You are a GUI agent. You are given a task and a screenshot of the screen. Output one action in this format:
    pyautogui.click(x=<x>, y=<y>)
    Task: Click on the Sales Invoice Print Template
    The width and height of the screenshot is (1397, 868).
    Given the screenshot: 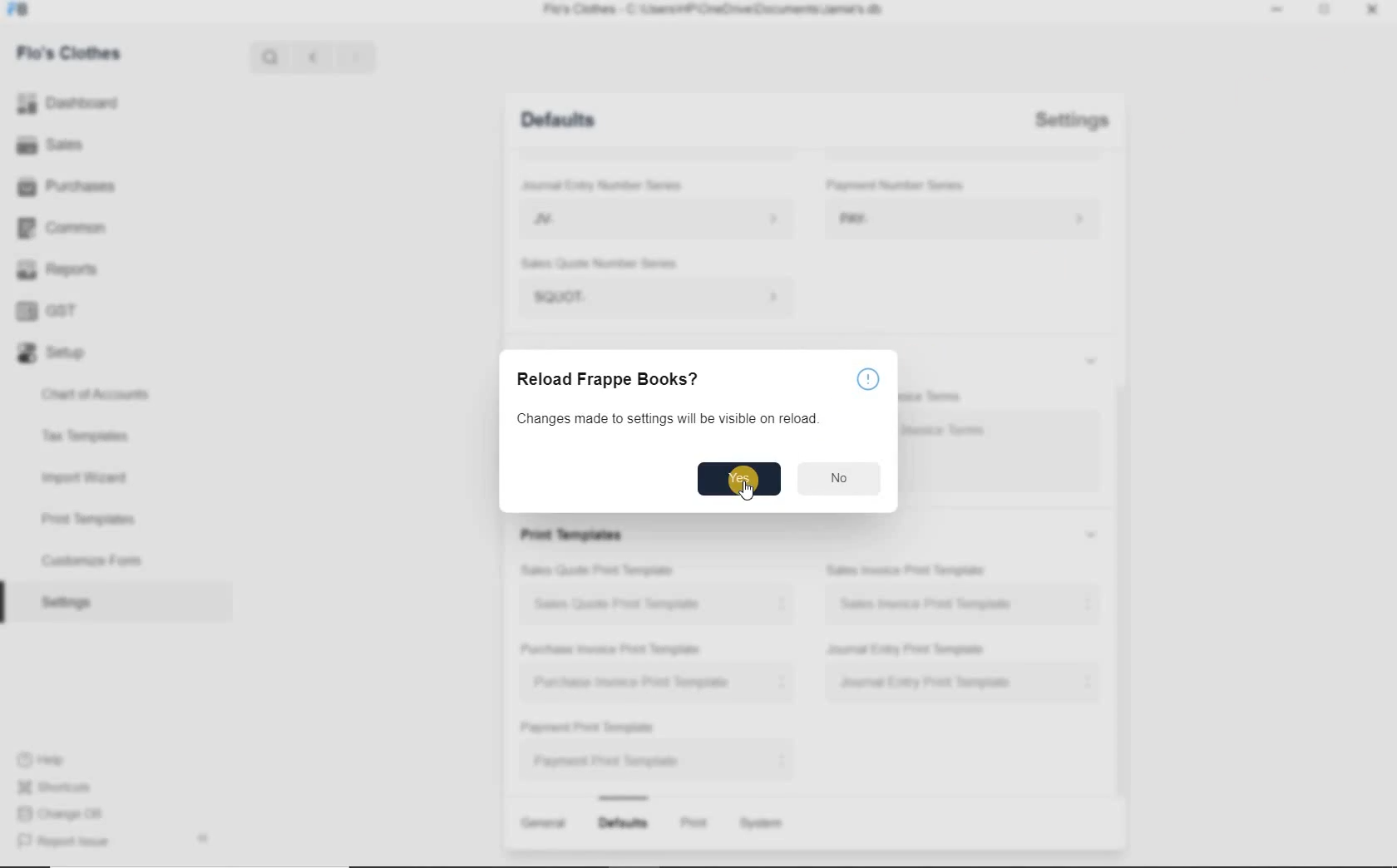 What is the action you would take?
    pyautogui.click(x=964, y=604)
    